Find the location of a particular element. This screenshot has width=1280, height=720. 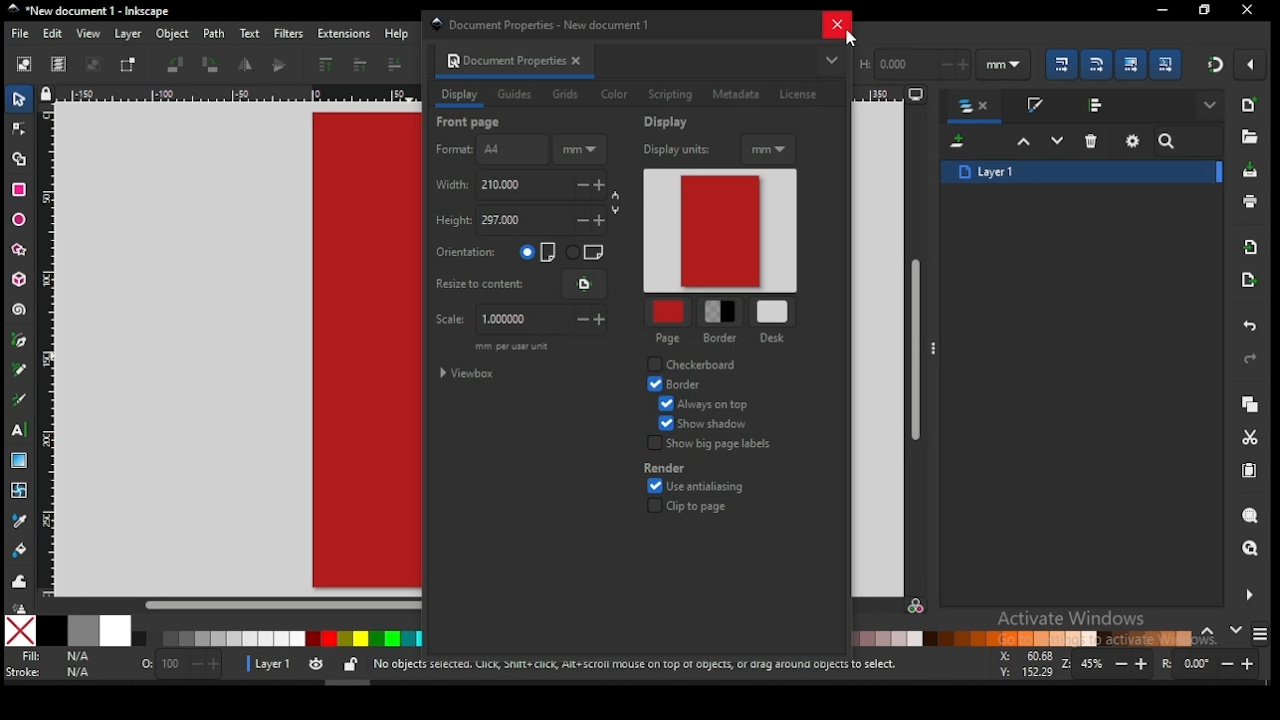

save is located at coordinates (1248, 171).